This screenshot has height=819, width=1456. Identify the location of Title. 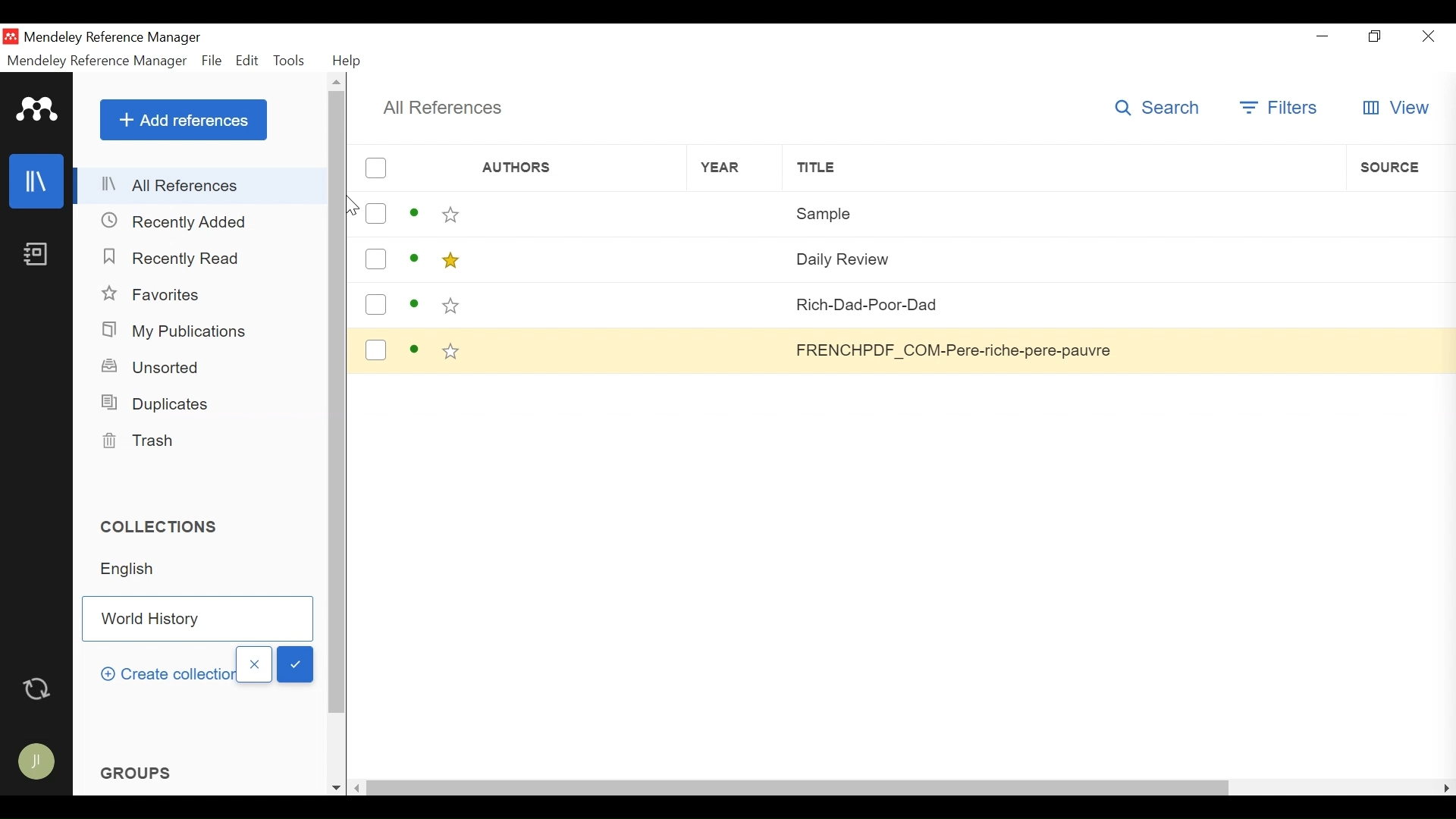
(1063, 168).